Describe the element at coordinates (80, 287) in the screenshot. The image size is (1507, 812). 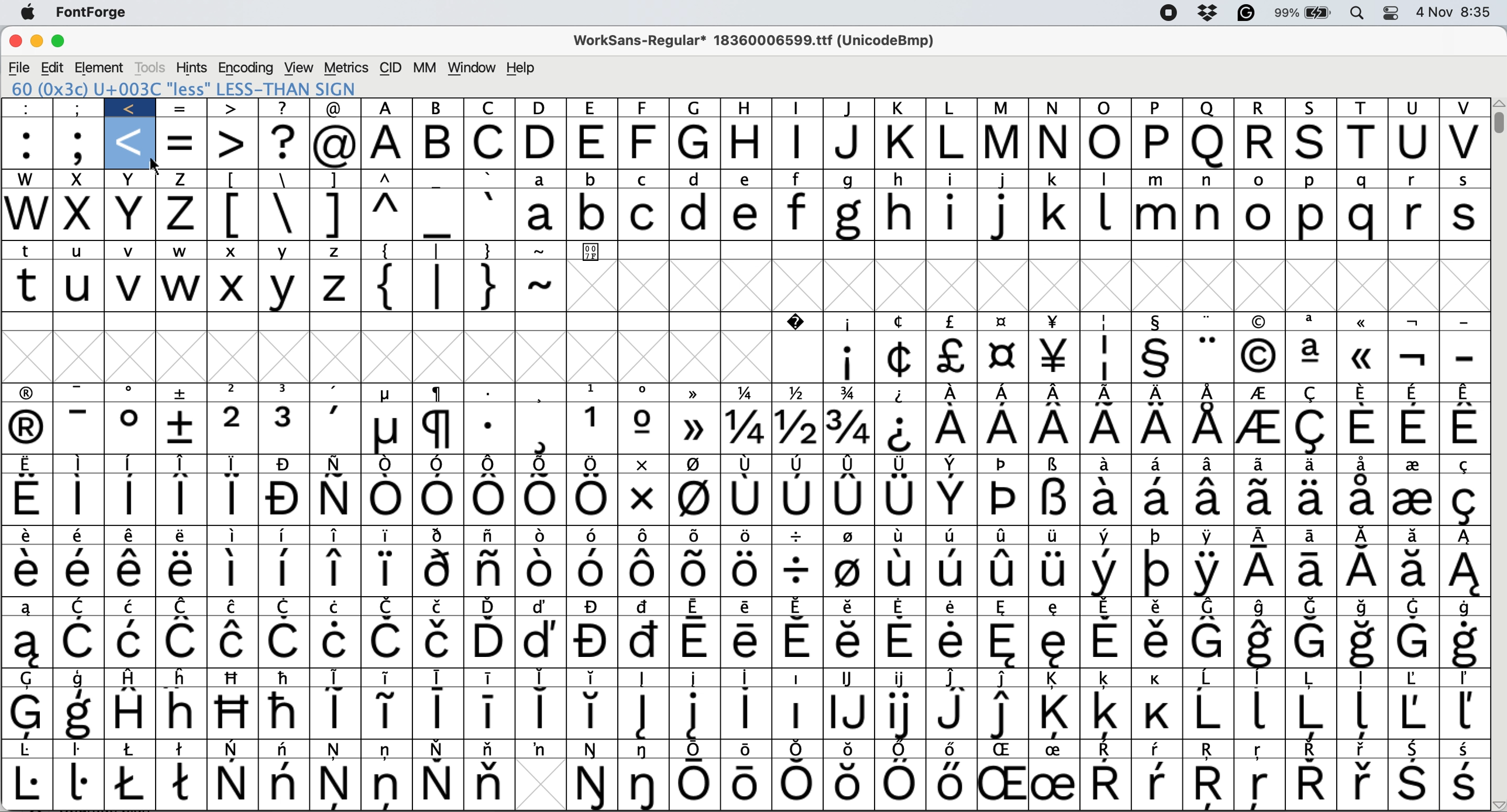
I see `u` at that location.